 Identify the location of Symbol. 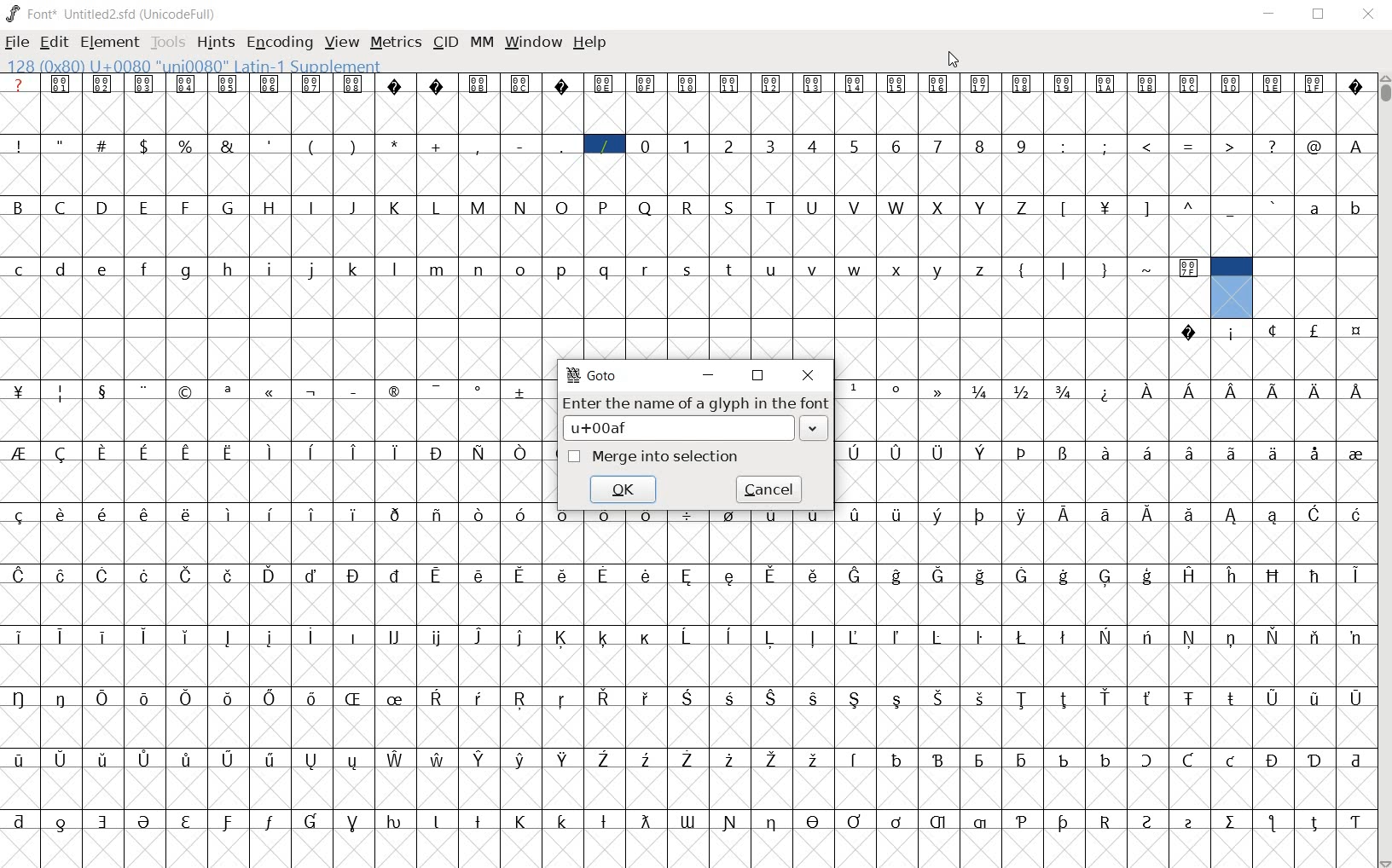
(606, 760).